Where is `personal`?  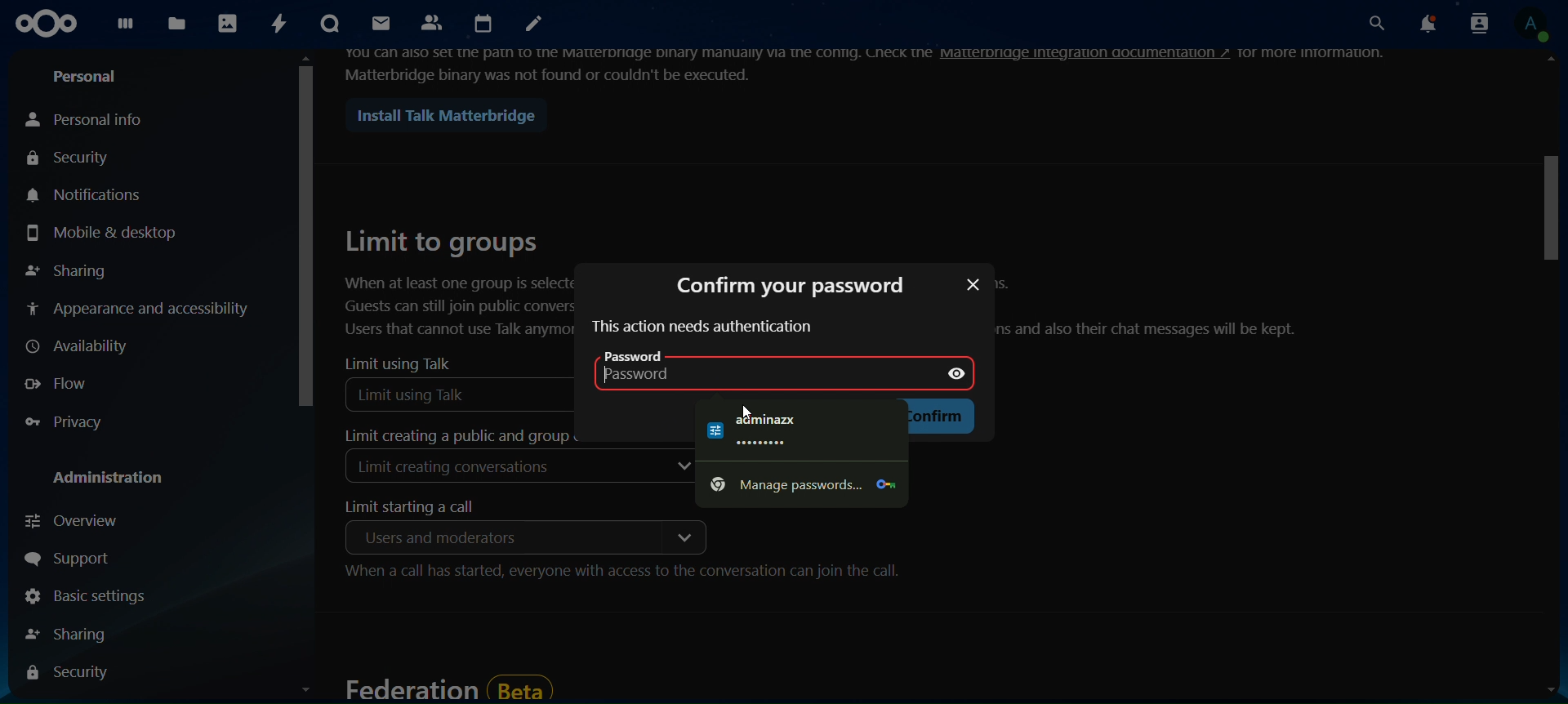
personal is located at coordinates (90, 78).